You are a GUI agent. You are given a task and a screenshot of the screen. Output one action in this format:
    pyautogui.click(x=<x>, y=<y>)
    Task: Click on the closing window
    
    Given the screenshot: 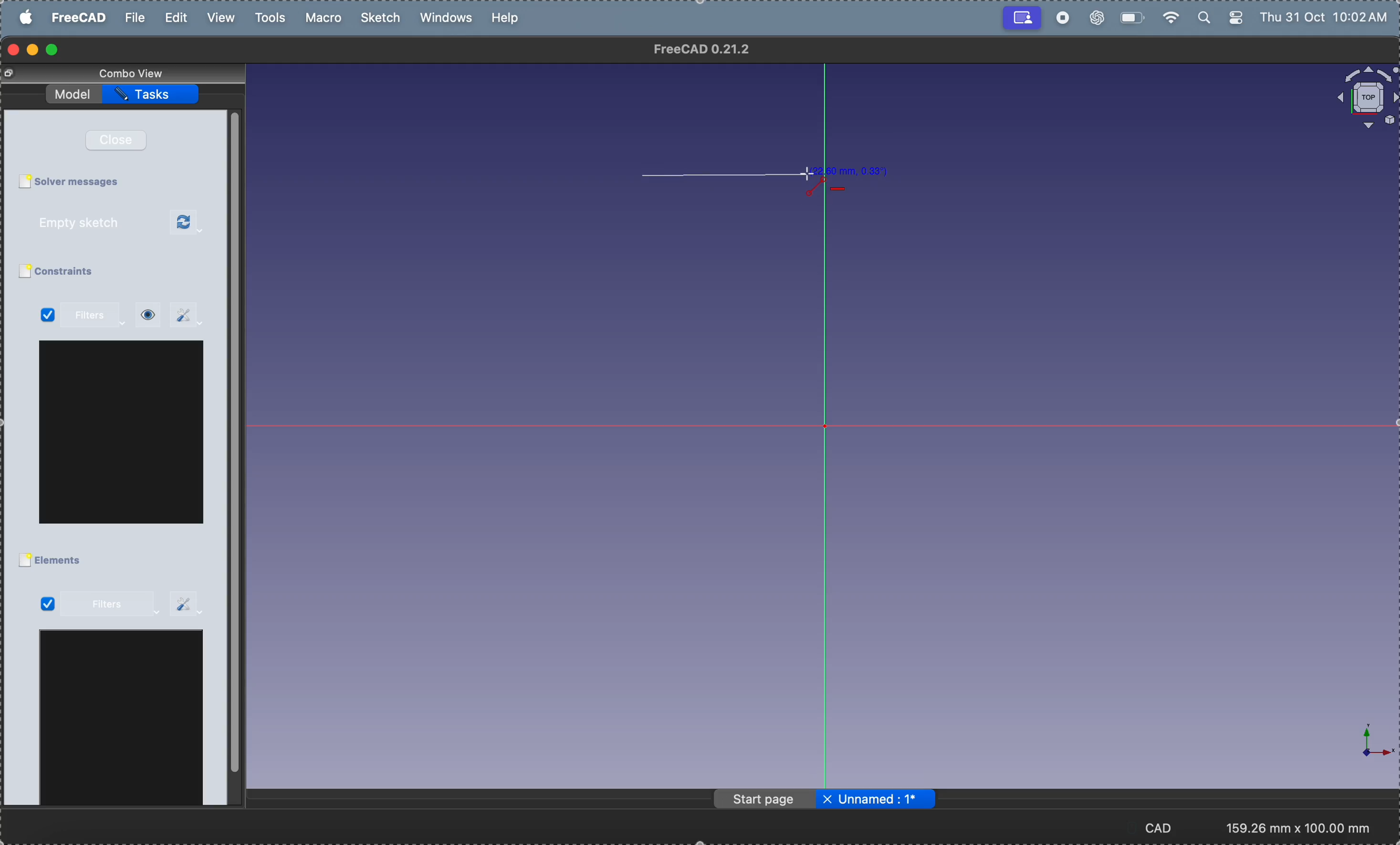 What is the action you would take?
    pyautogui.click(x=14, y=50)
    